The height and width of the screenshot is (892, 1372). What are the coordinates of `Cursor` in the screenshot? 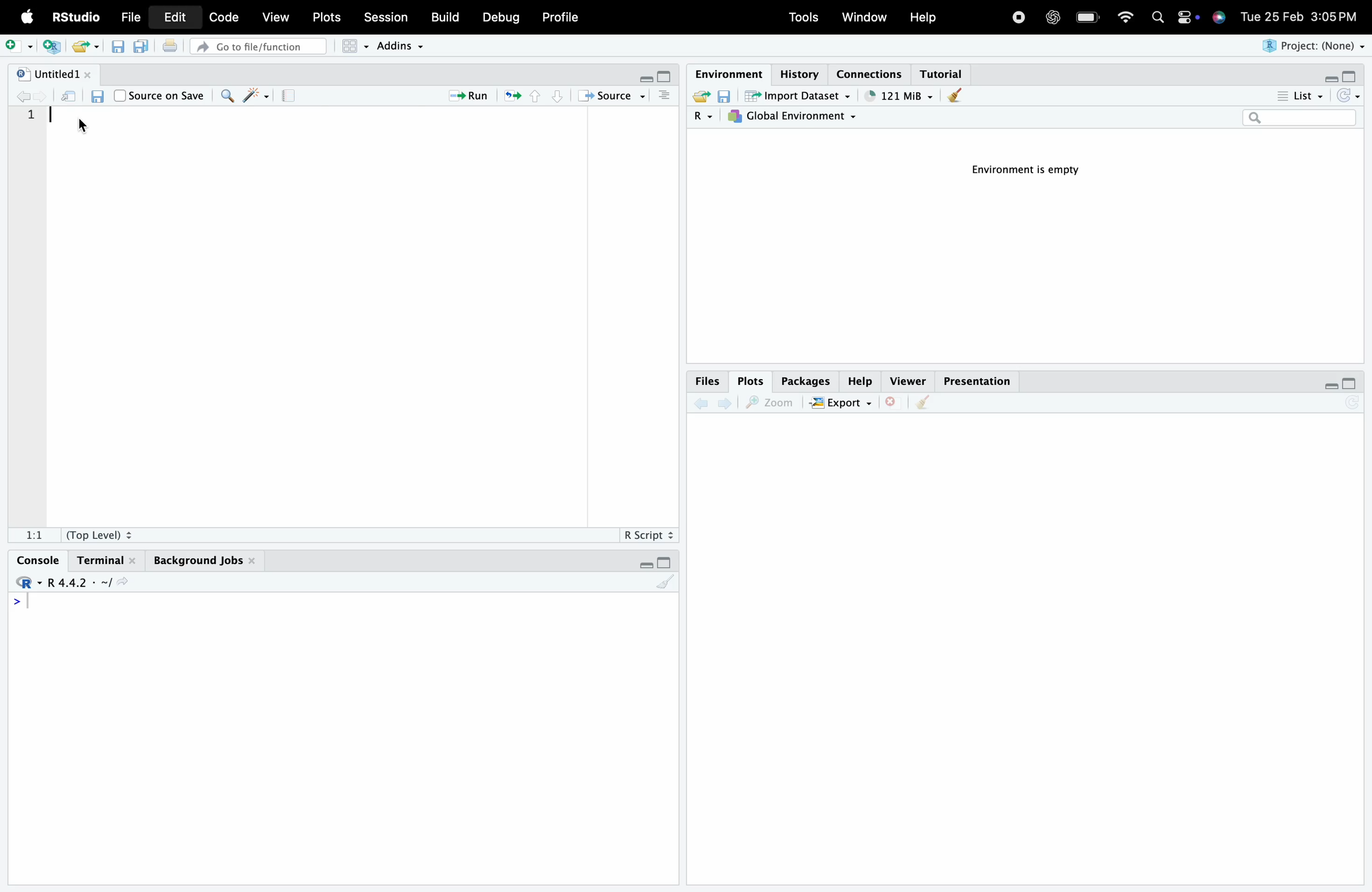 It's located at (83, 126).